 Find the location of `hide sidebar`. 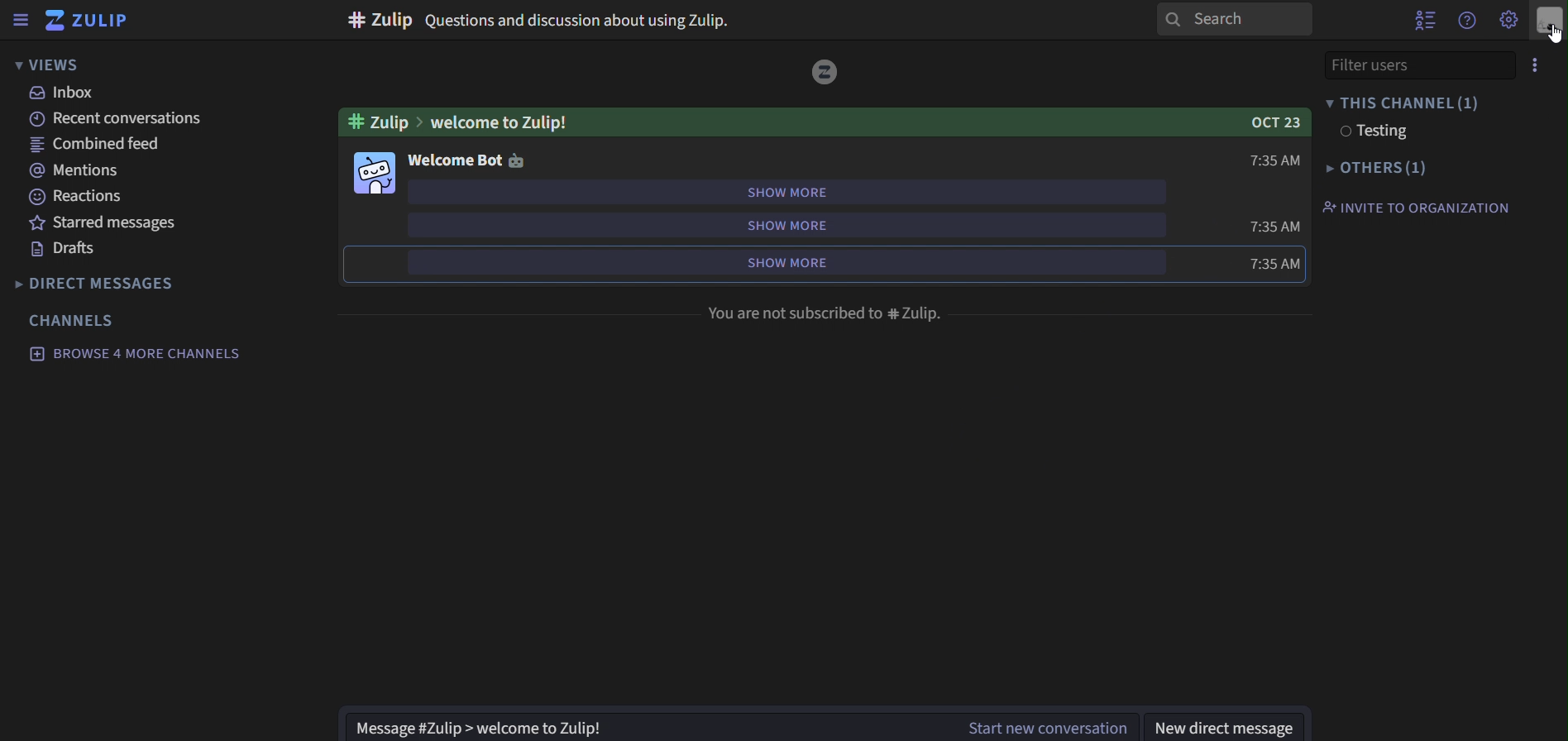

hide sidebar is located at coordinates (17, 22).